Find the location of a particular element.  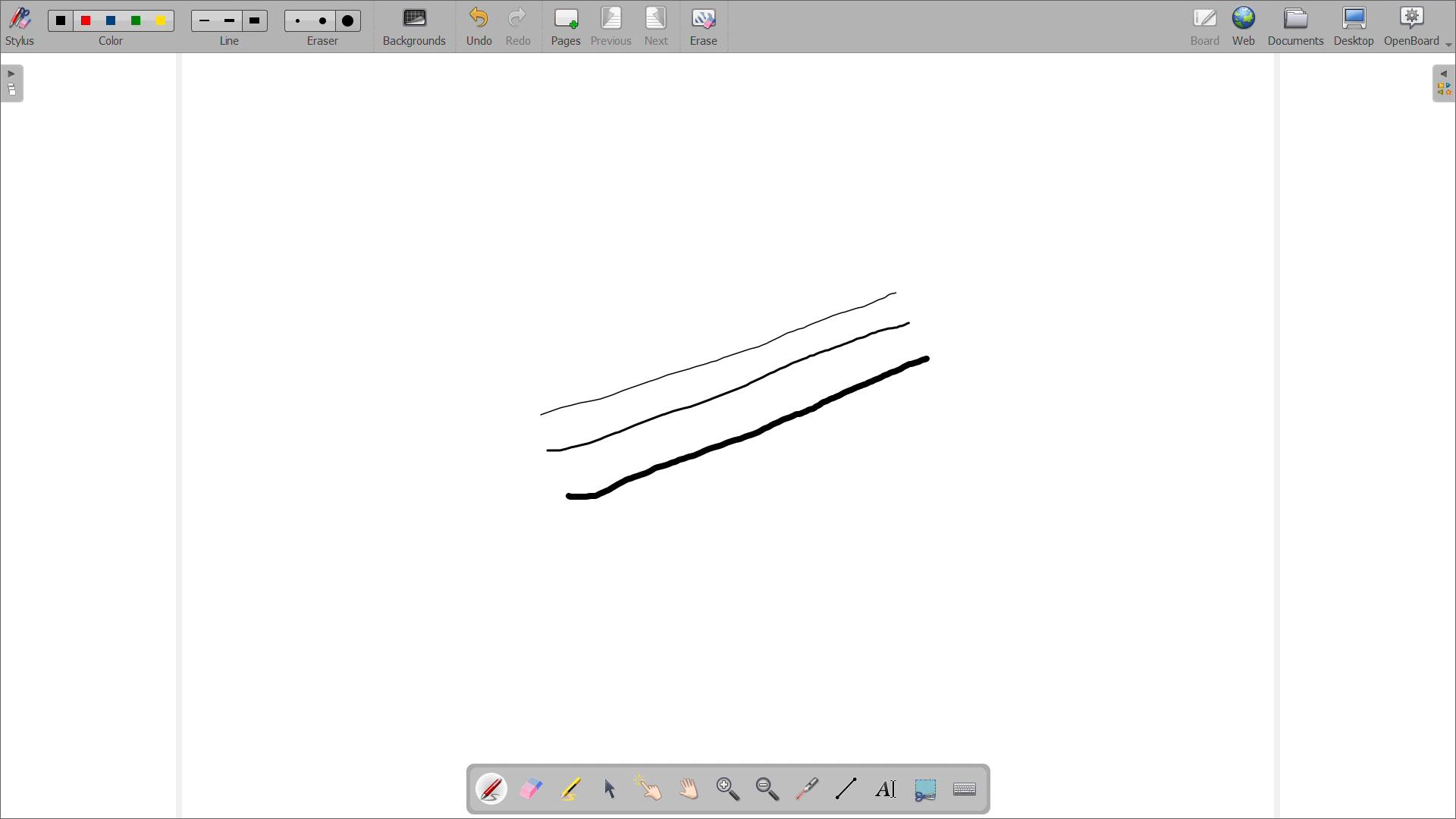

line width size is located at coordinates (231, 22).